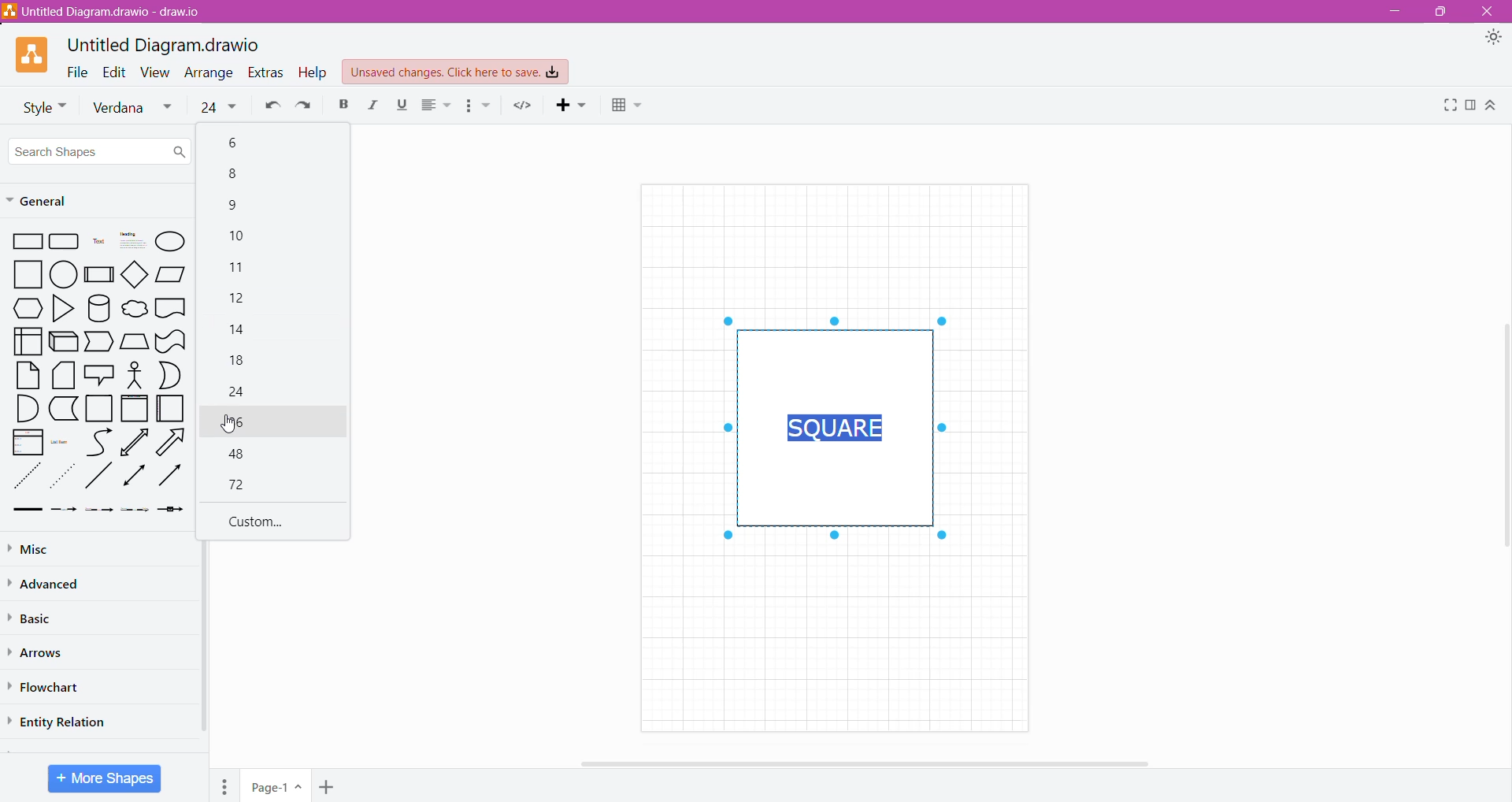  What do you see at coordinates (1471, 109) in the screenshot?
I see `Format` at bounding box center [1471, 109].